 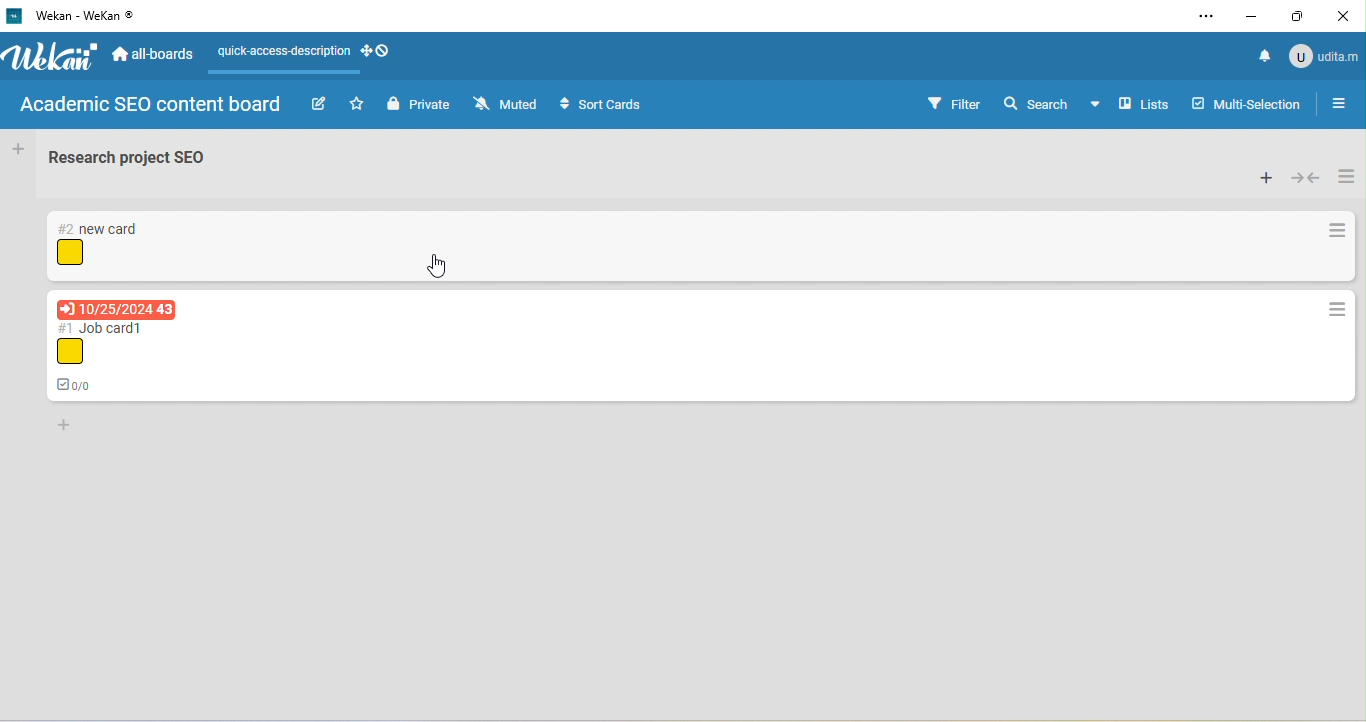 I want to click on muted, so click(x=508, y=105).